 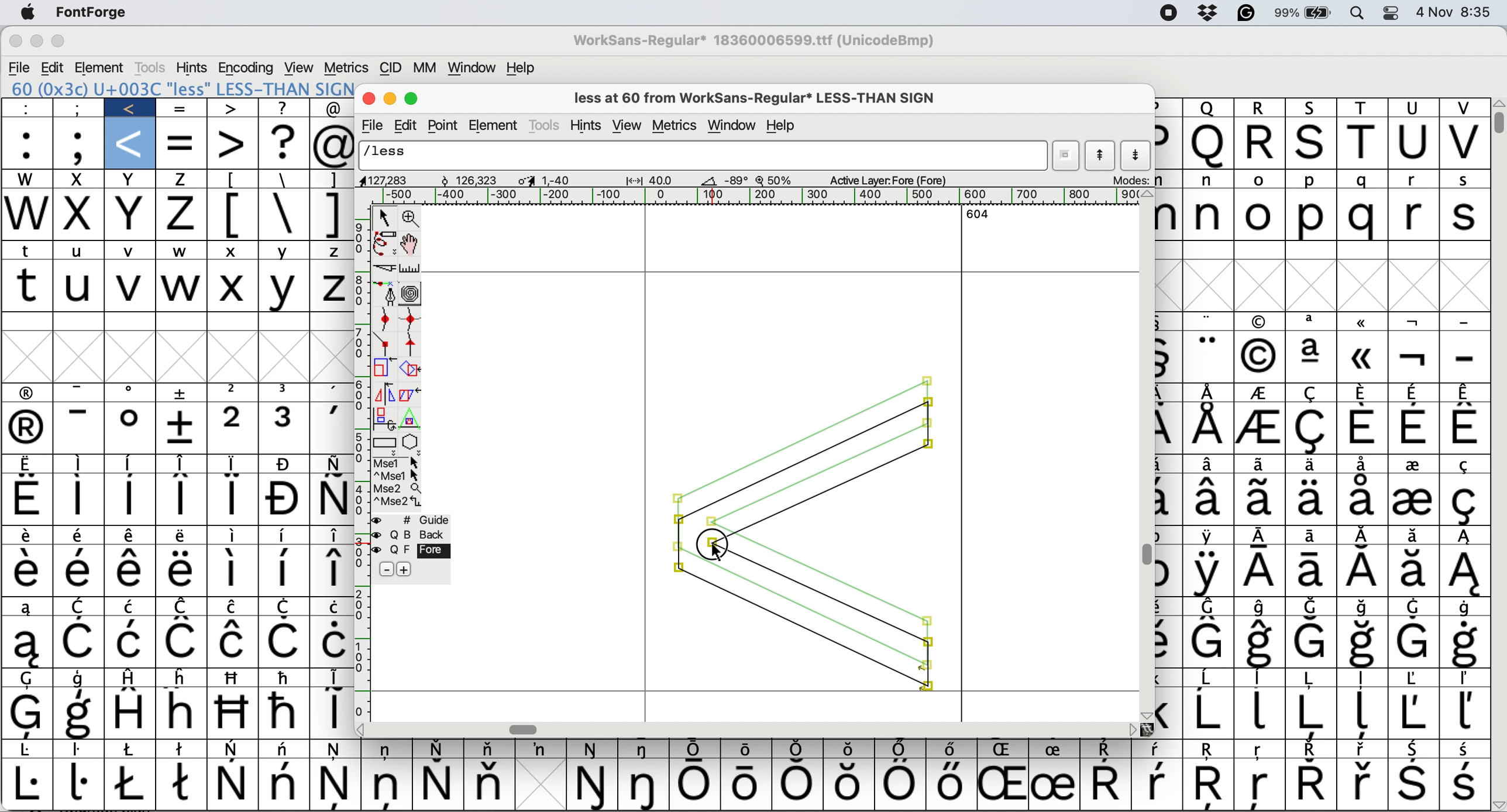 What do you see at coordinates (411, 552) in the screenshot?
I see `fore` at bounding box center [411, 552].